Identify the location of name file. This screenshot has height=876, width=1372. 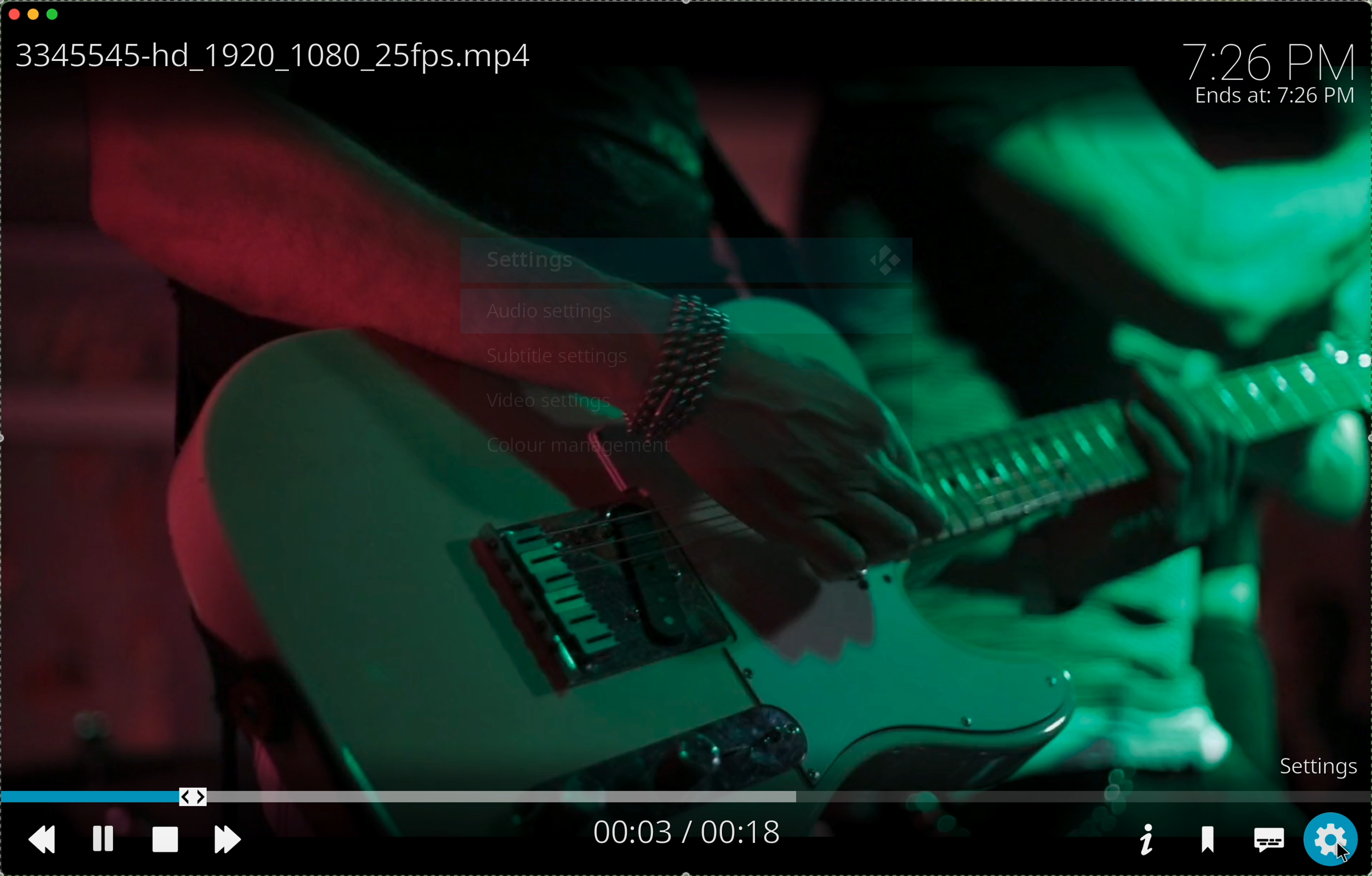
(268, 58).